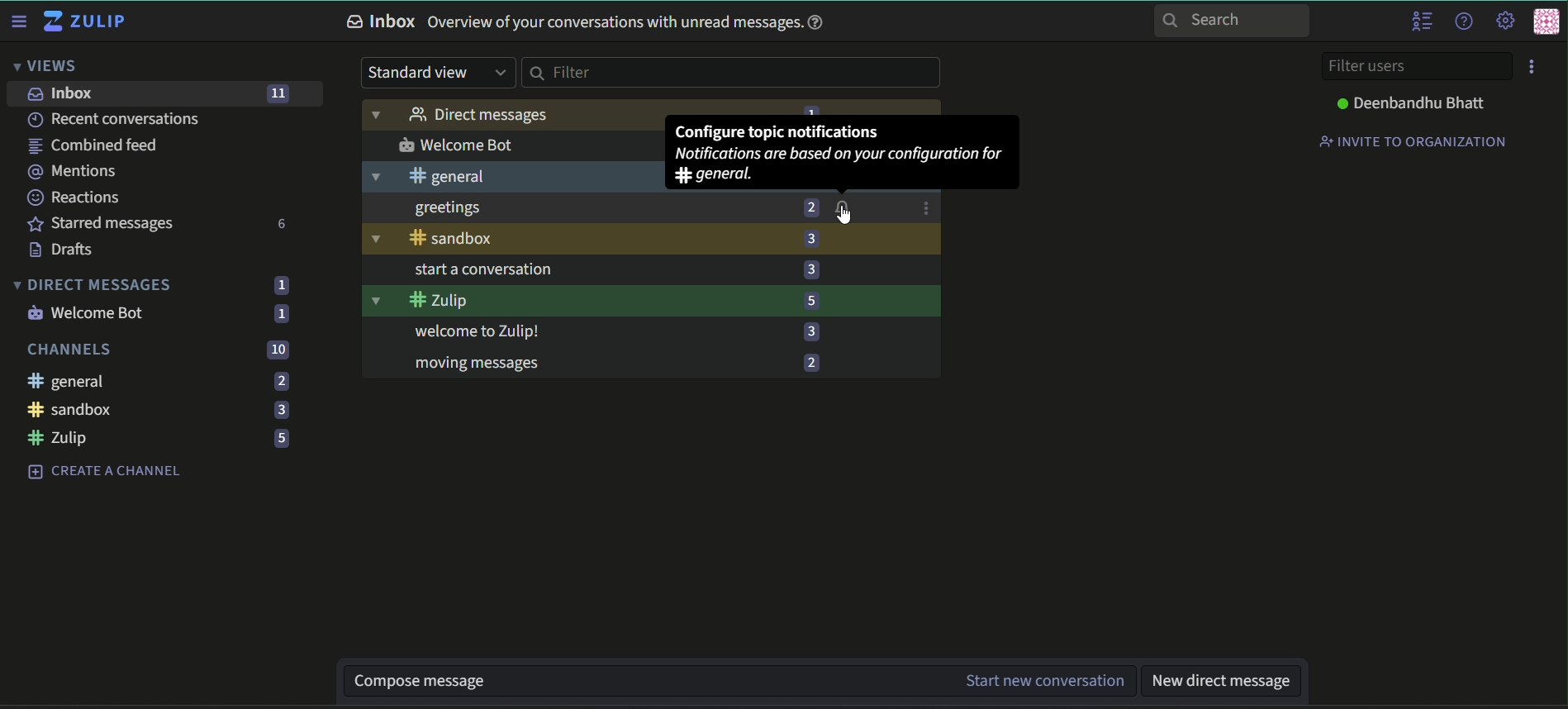  Describe the element at coordinates (1463, 20) in the screenshot. I see `help menu` at that location.